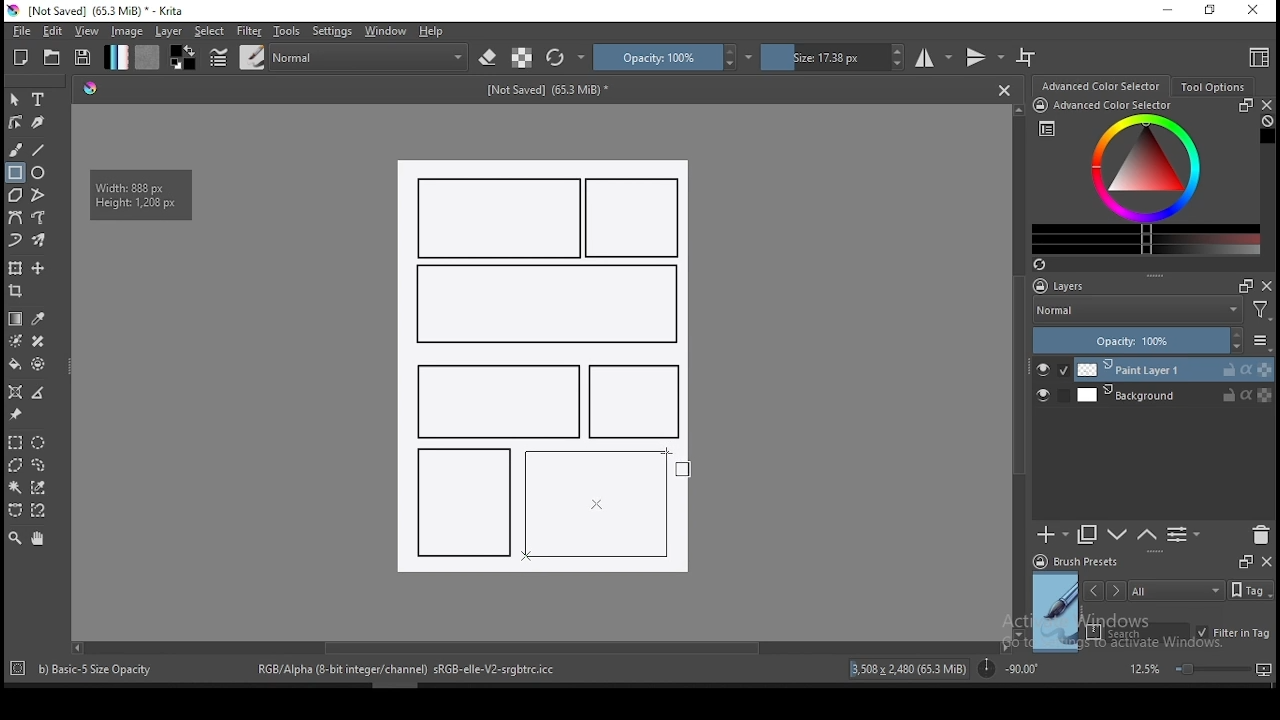 Image resolution: width=1280 pixels, height=720 pixels. Describe the element at coordinates (1266, 105) in the screenshot. I see `close docker` at that location.